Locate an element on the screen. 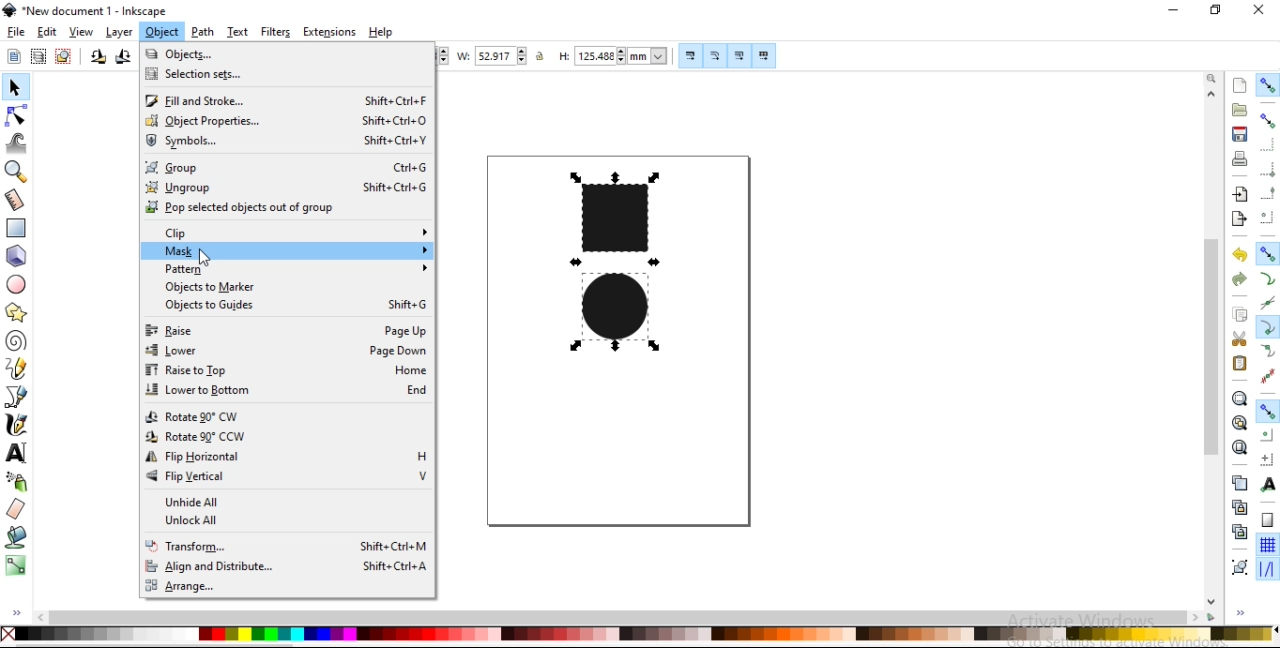 The height and width of the screenshot is (648, 1280). print document is located at coordinates (1240, 159).